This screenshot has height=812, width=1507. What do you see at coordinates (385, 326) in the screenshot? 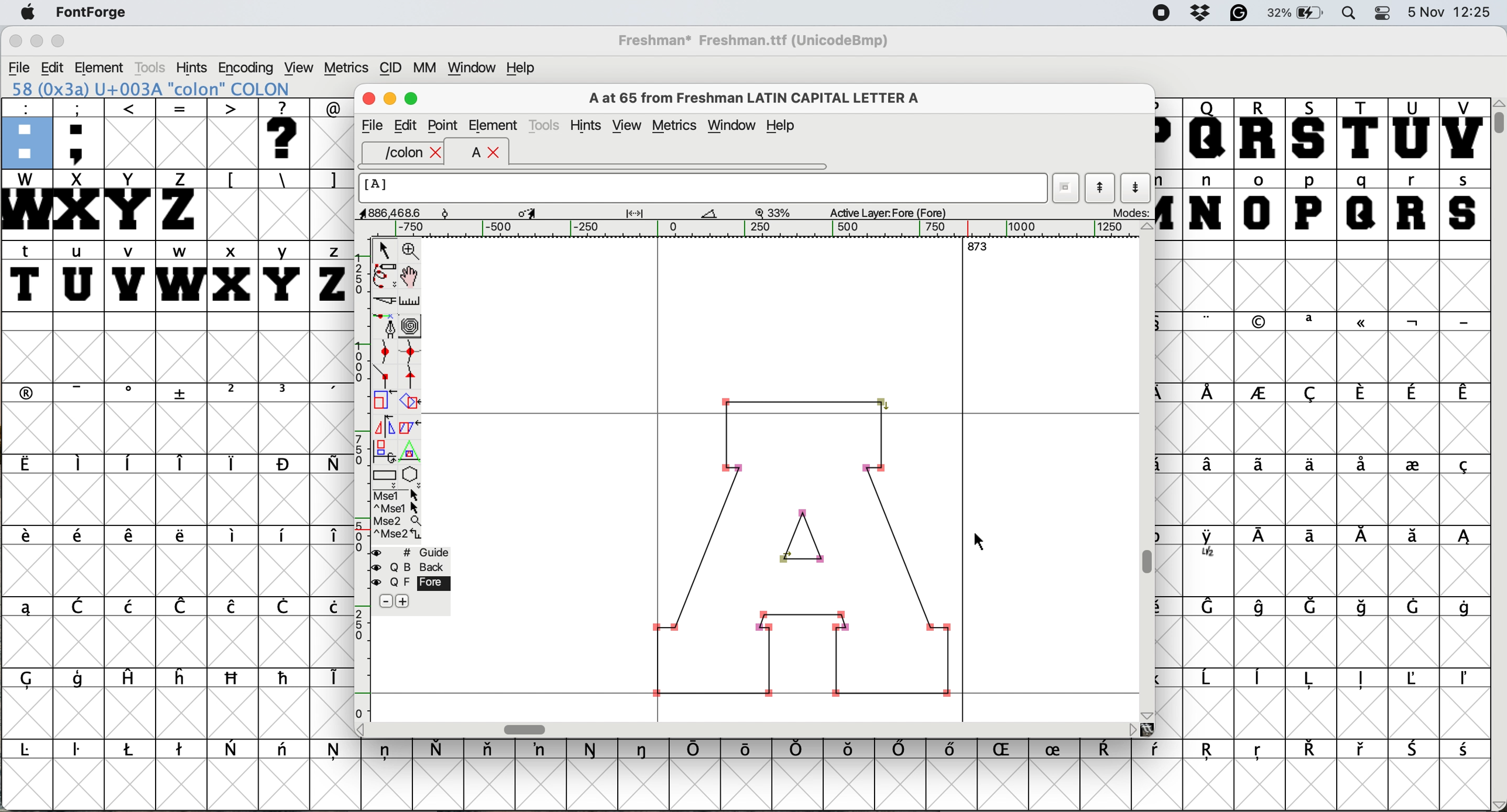
I see `add a point and drag out it corners` at bounding box center [385, 326].